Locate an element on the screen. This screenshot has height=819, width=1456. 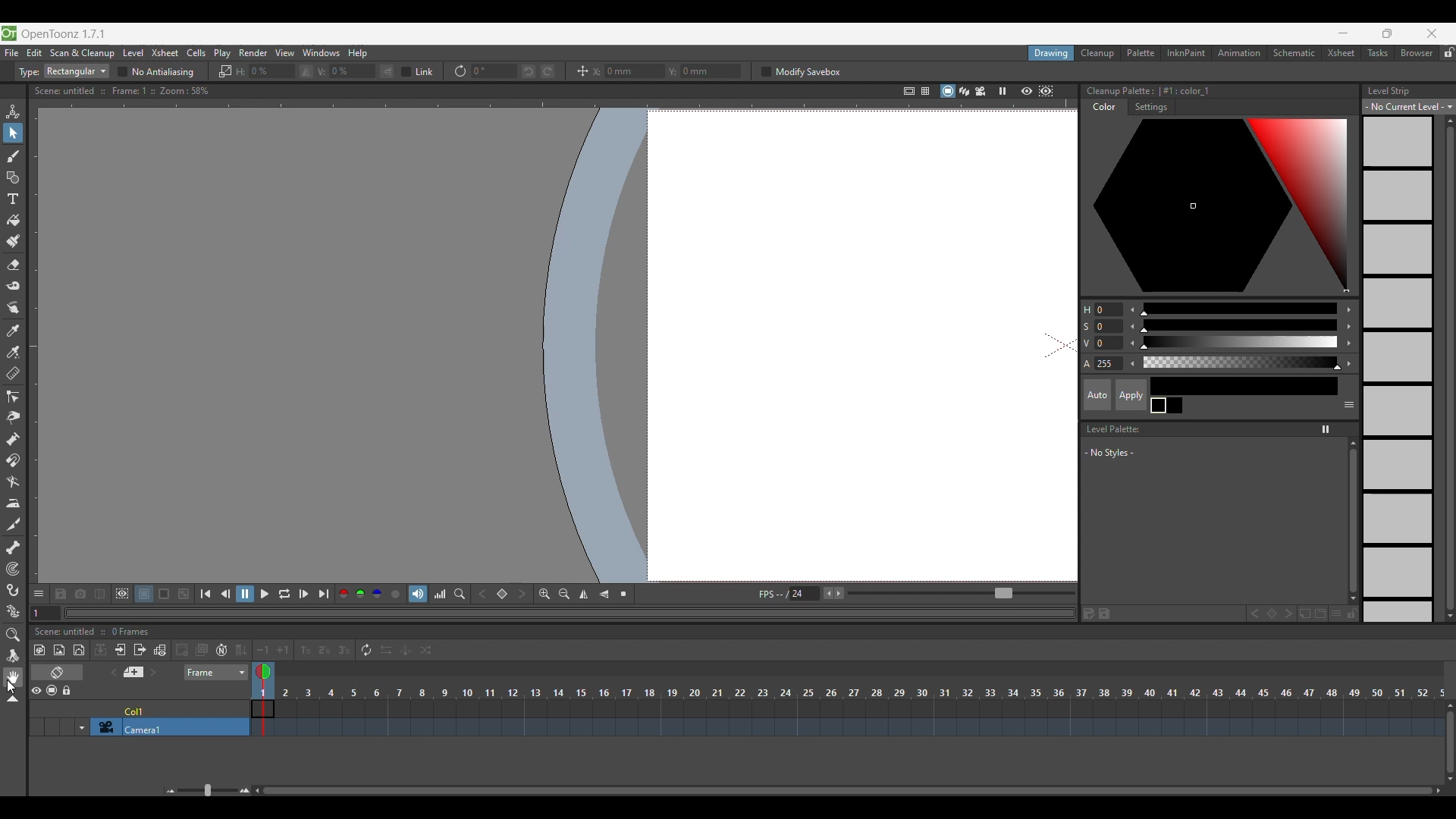
Set key is located at coordinates (503, 594).